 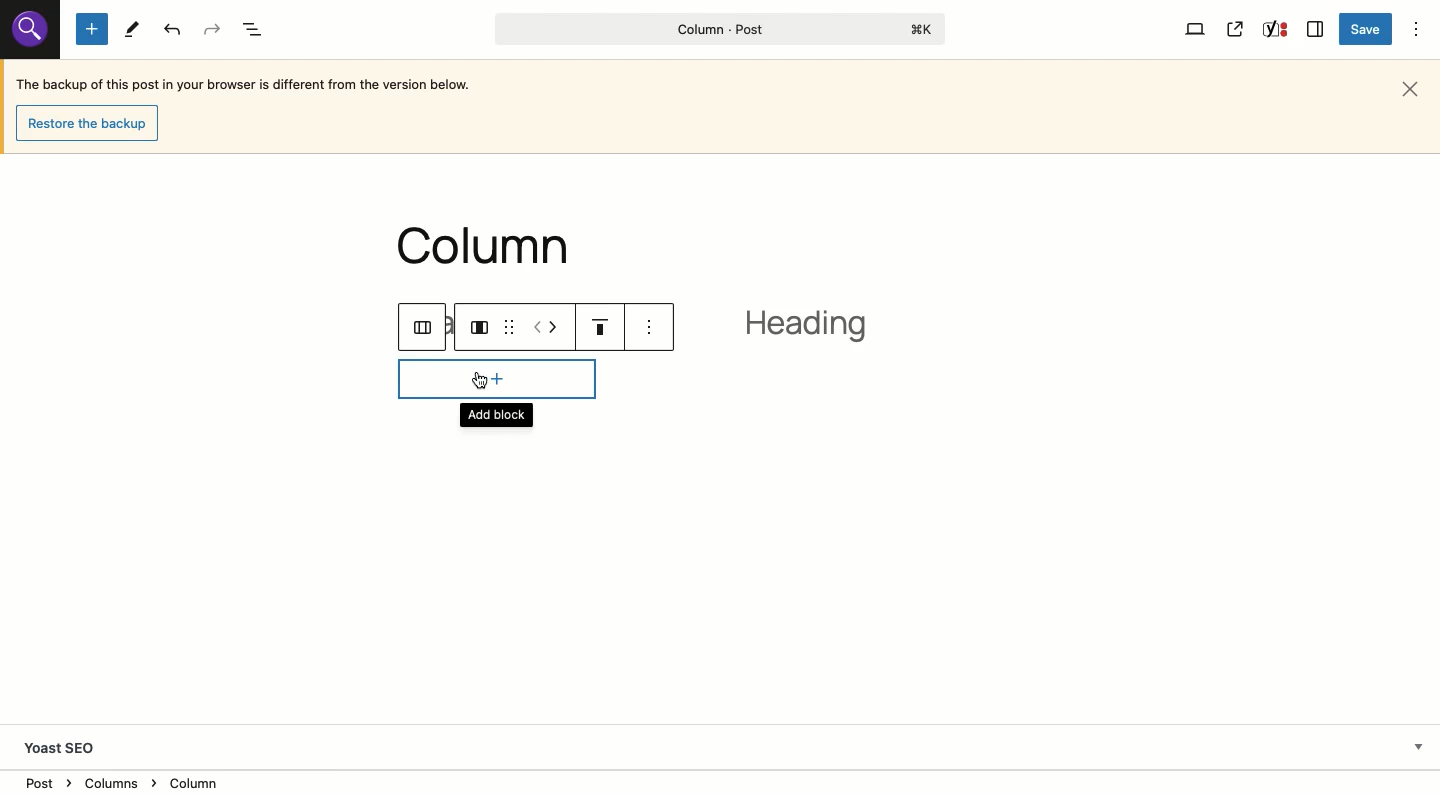 What do you see at coordinates (174, 30) in the screenshot?
I see `Undo` at bounding box center [174, 30].